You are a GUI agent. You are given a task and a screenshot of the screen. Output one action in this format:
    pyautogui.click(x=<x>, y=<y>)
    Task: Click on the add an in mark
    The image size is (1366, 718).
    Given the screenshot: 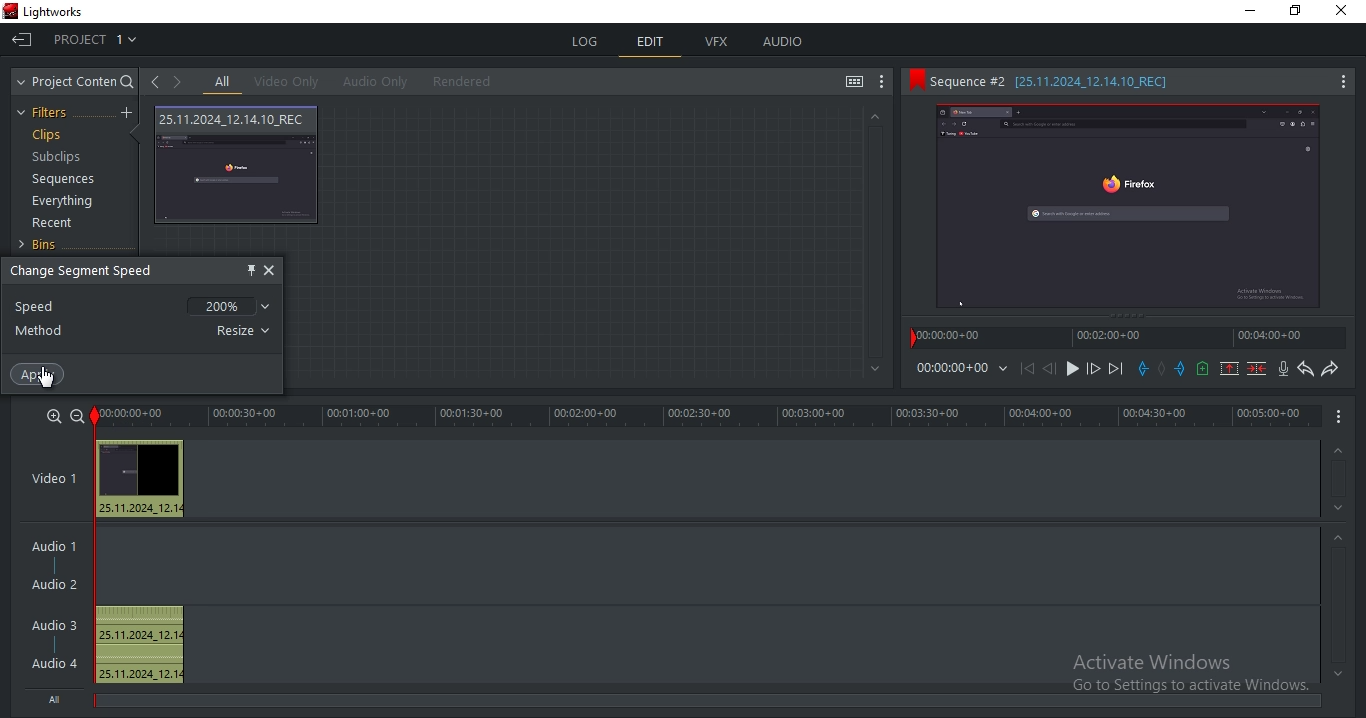 What is the action you would take?
    pyautogui.click(x=1142, y=369)
    